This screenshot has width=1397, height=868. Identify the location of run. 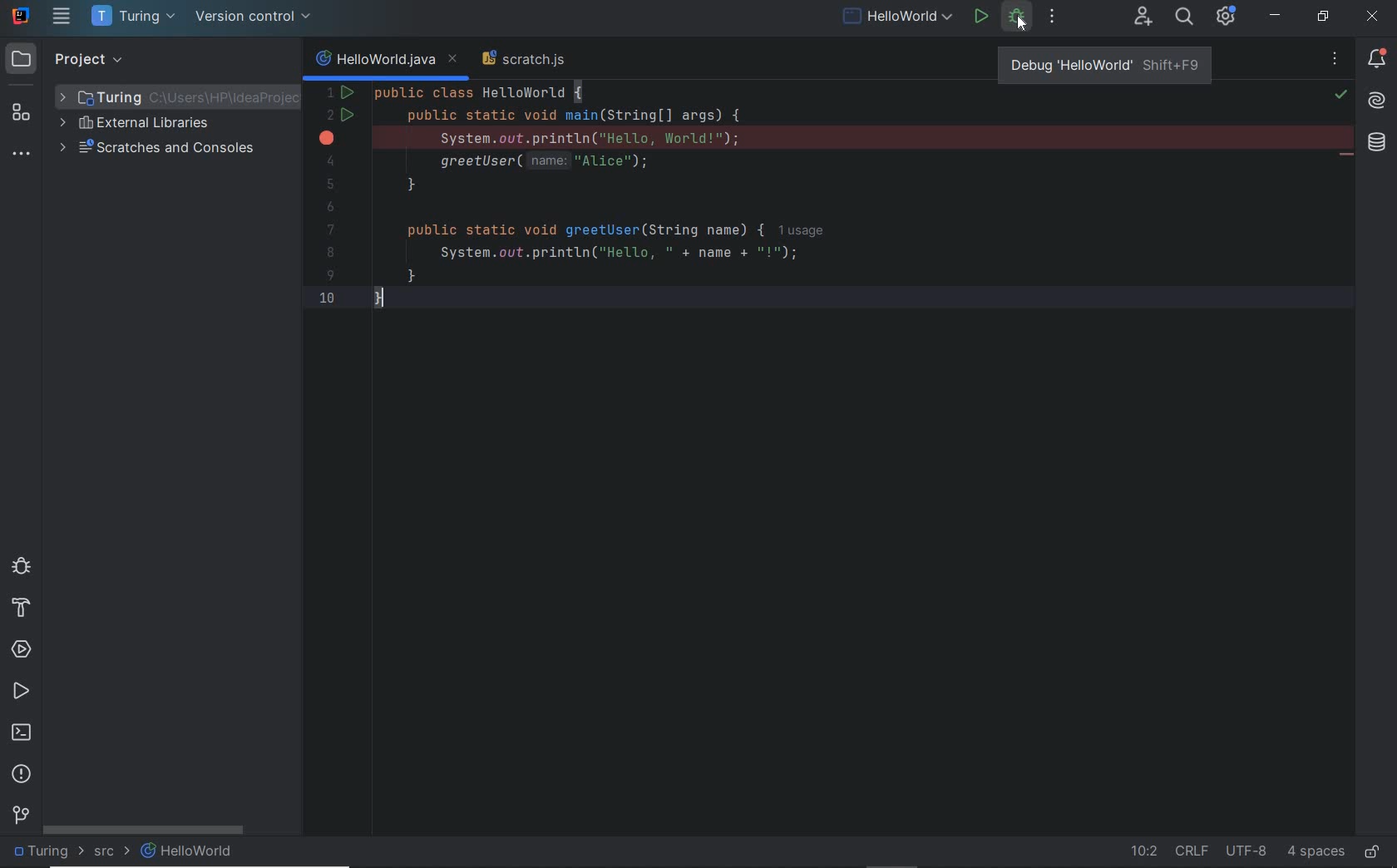
(981, 17).